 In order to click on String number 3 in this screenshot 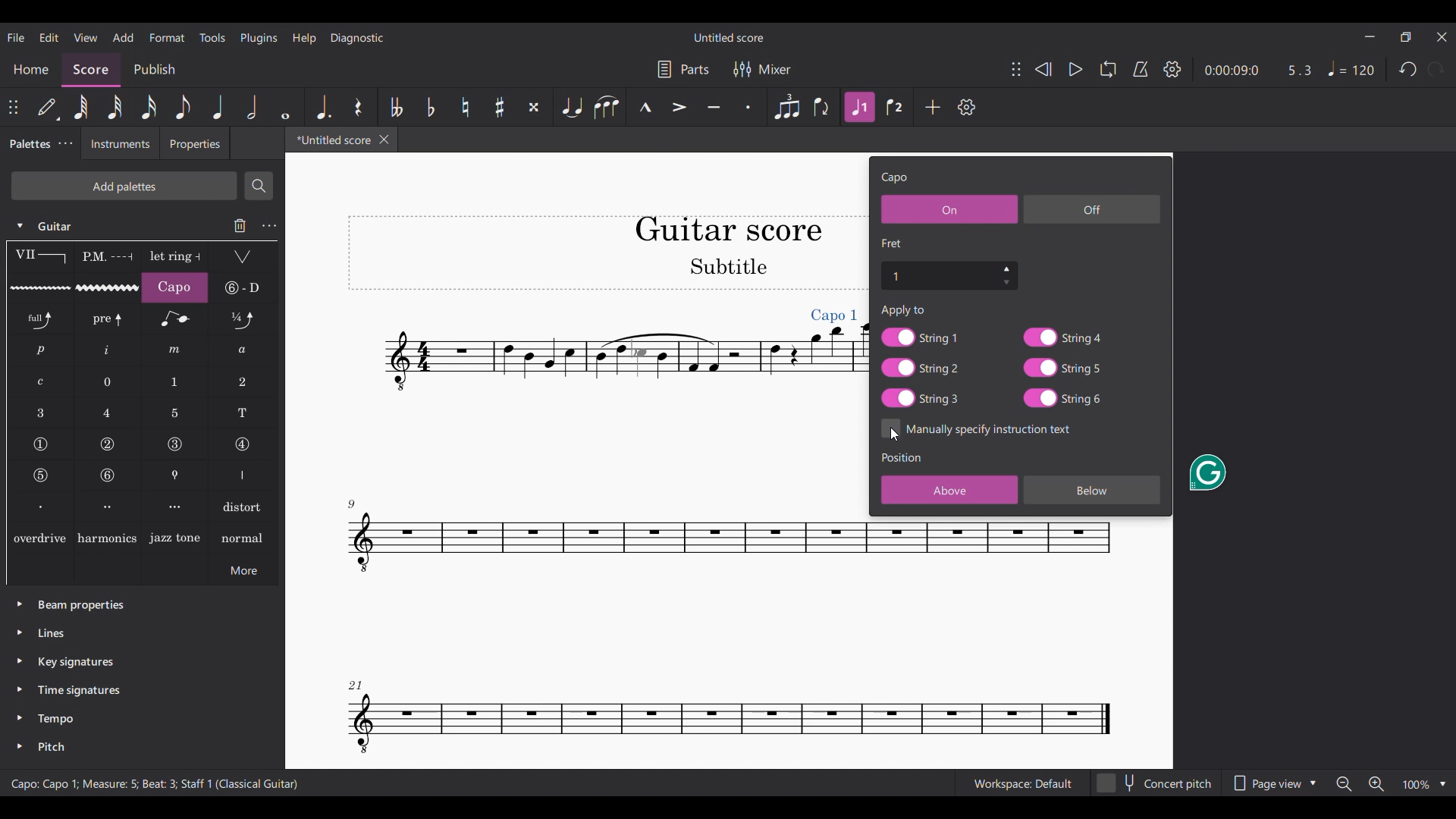, I will do `click(175, 444)`.